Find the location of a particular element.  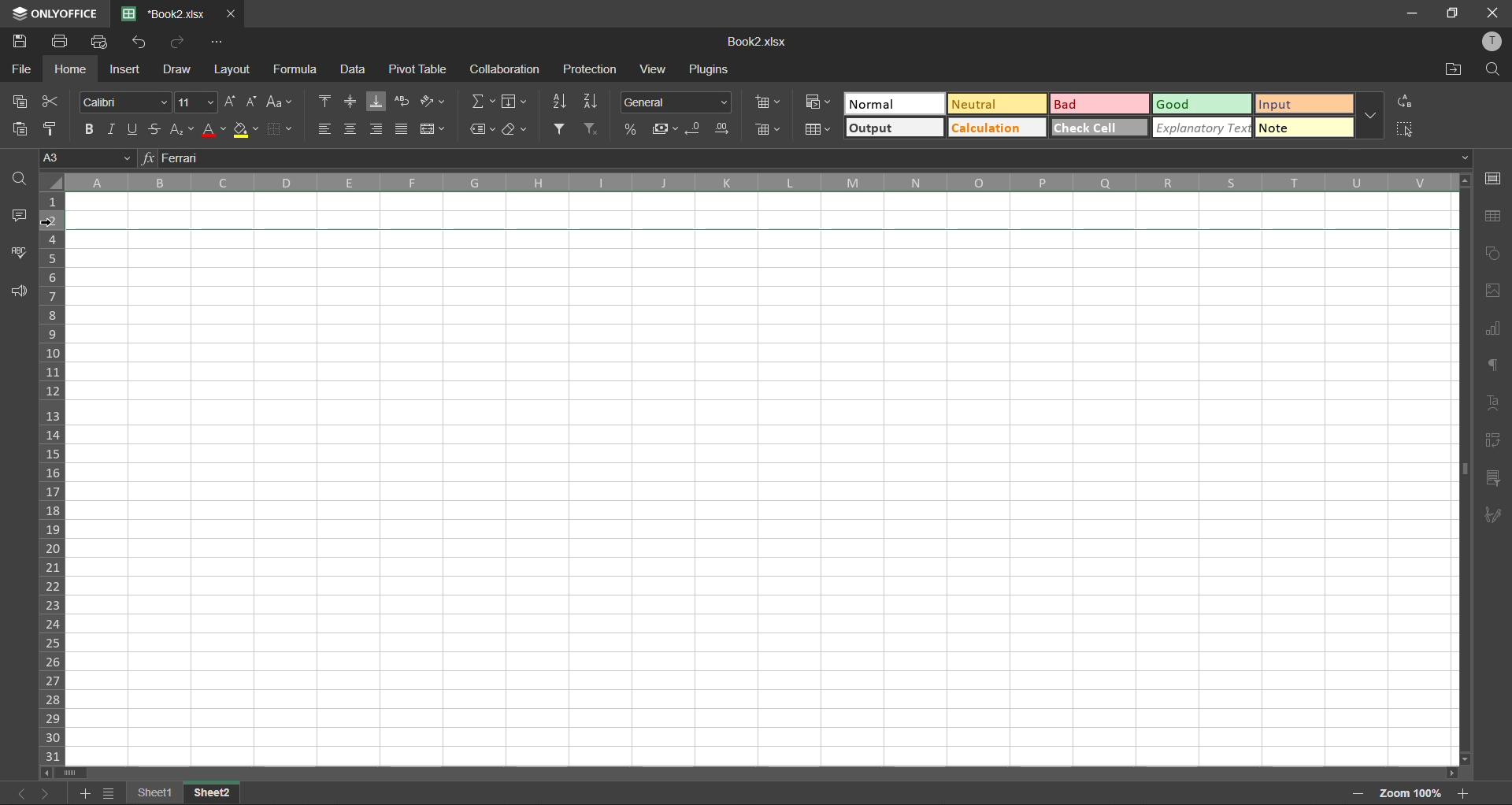

percent is located at coordinates (635, 131).